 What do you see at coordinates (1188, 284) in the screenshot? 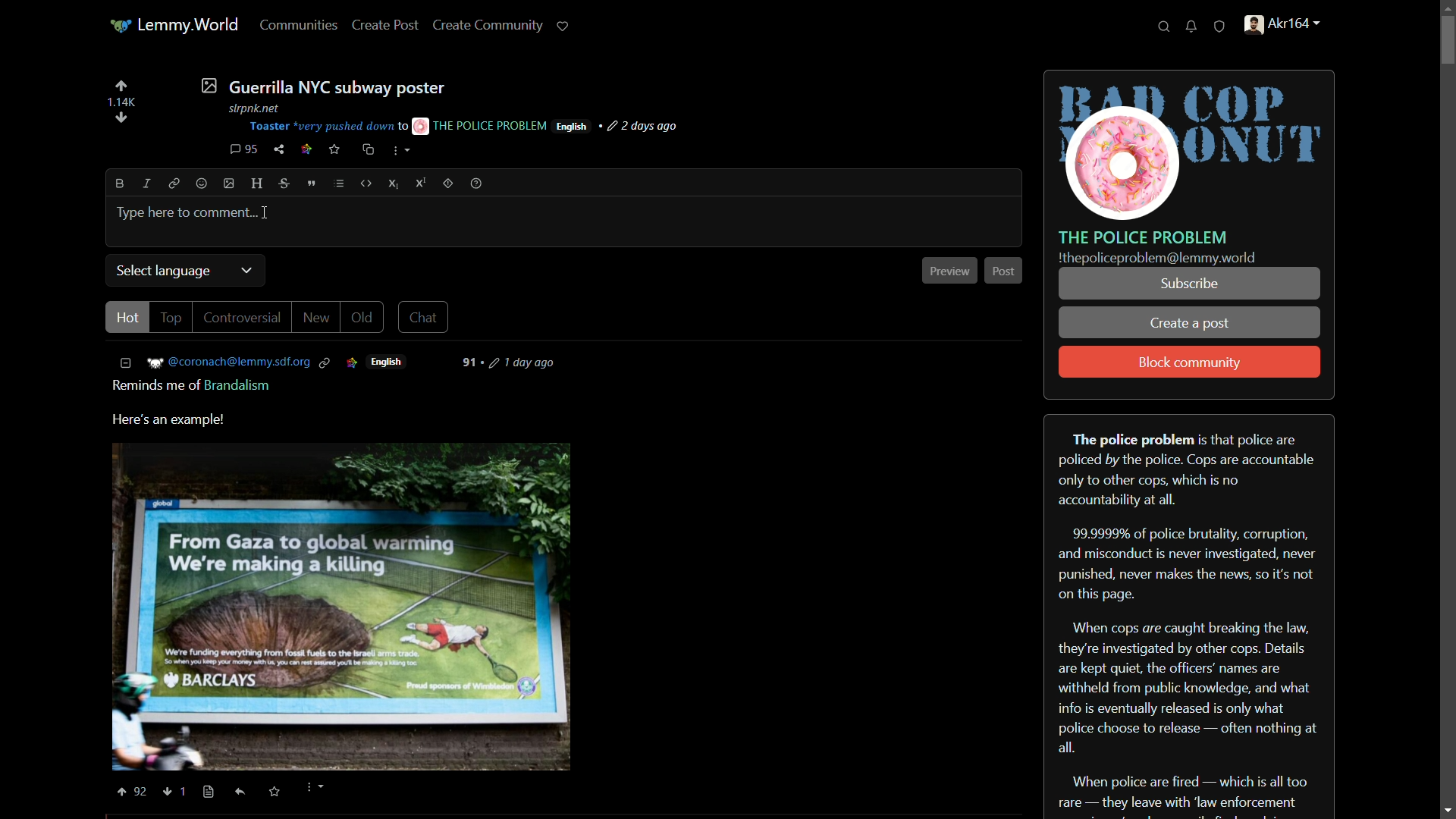
I see `subscribe` at bounding box center [1188, 284].